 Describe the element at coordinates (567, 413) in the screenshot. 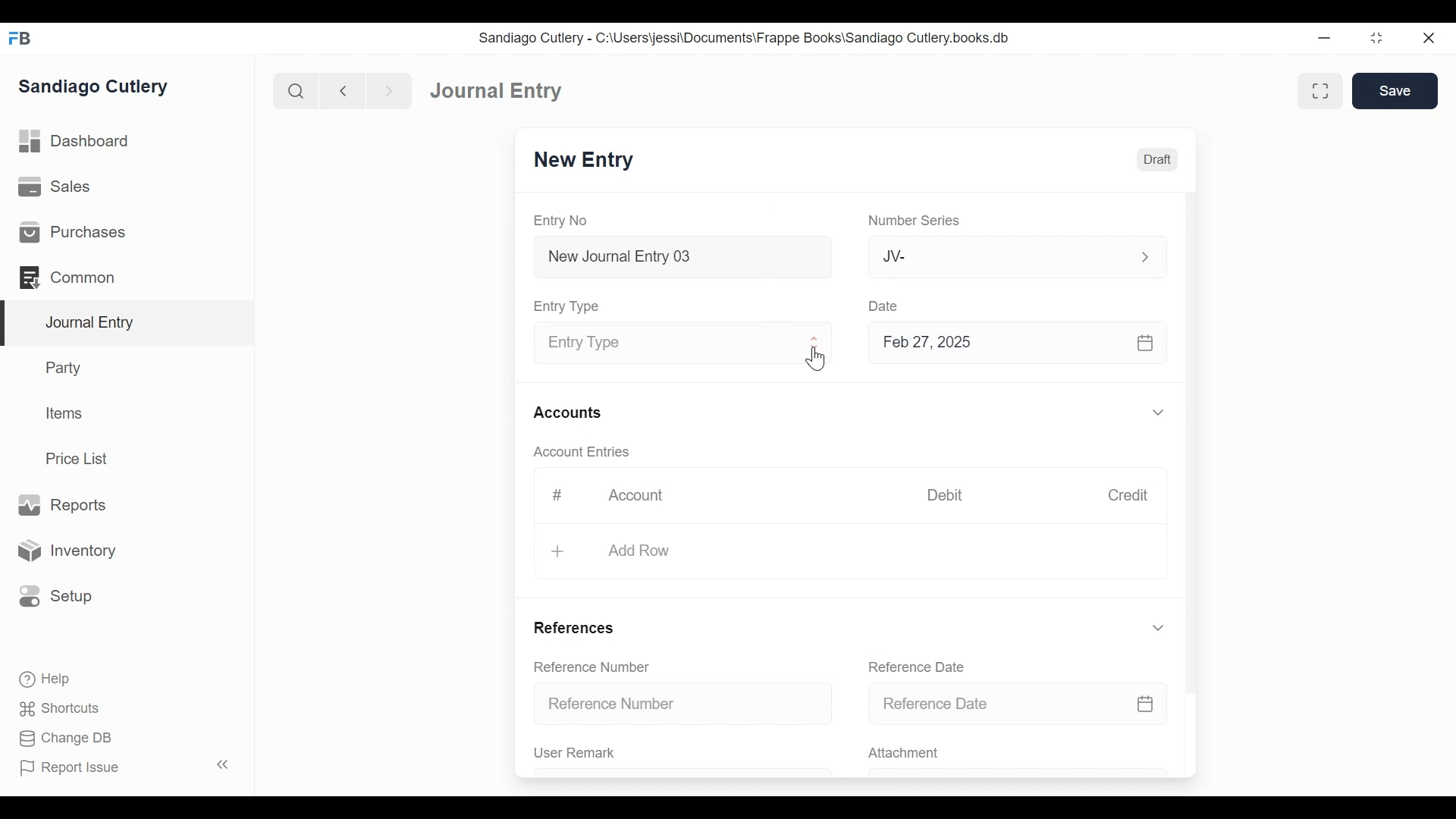

I see `Accounts` at that location.